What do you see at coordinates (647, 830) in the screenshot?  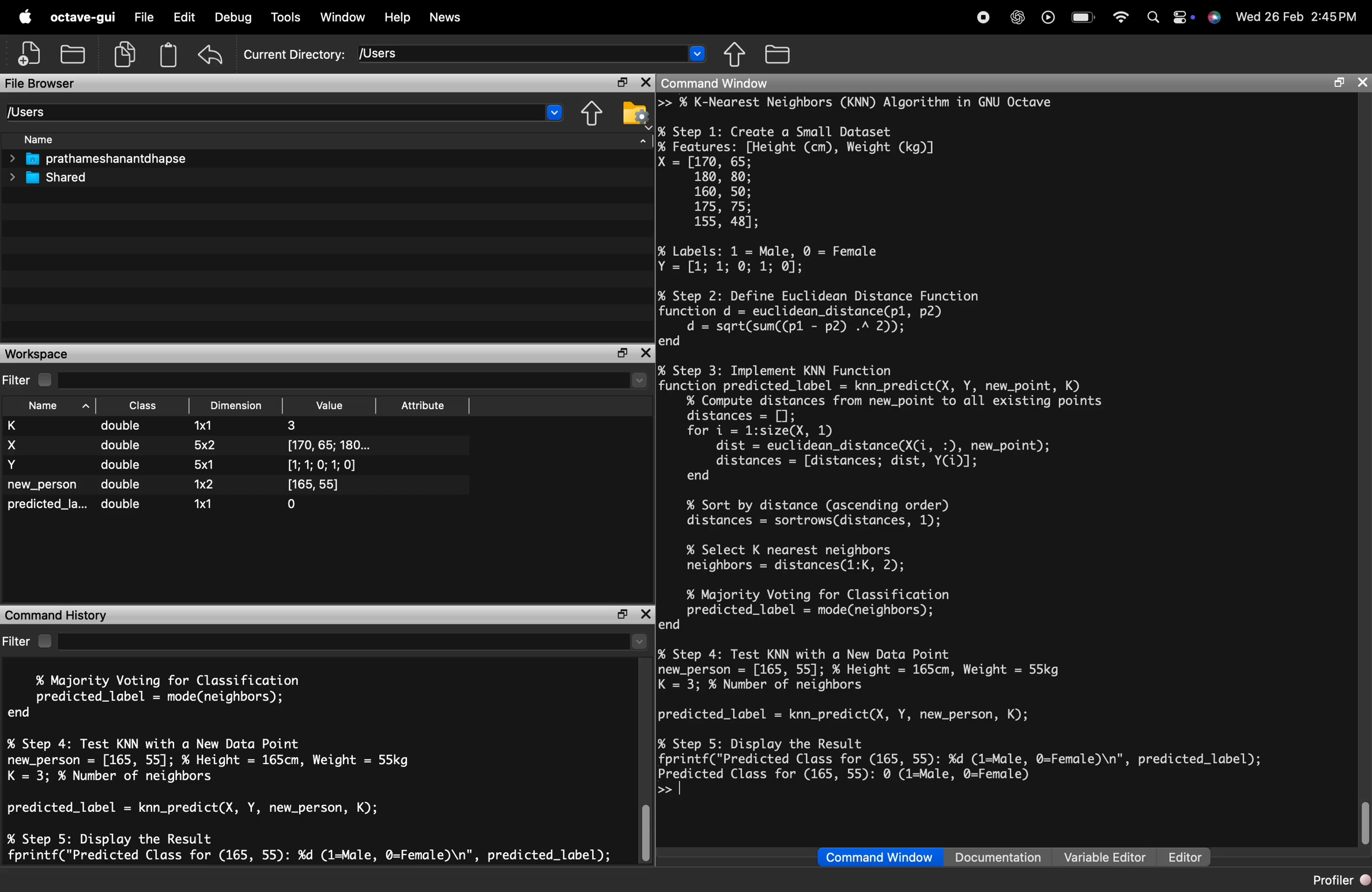 I see `scroll bar` at bounding box center [647, 830].